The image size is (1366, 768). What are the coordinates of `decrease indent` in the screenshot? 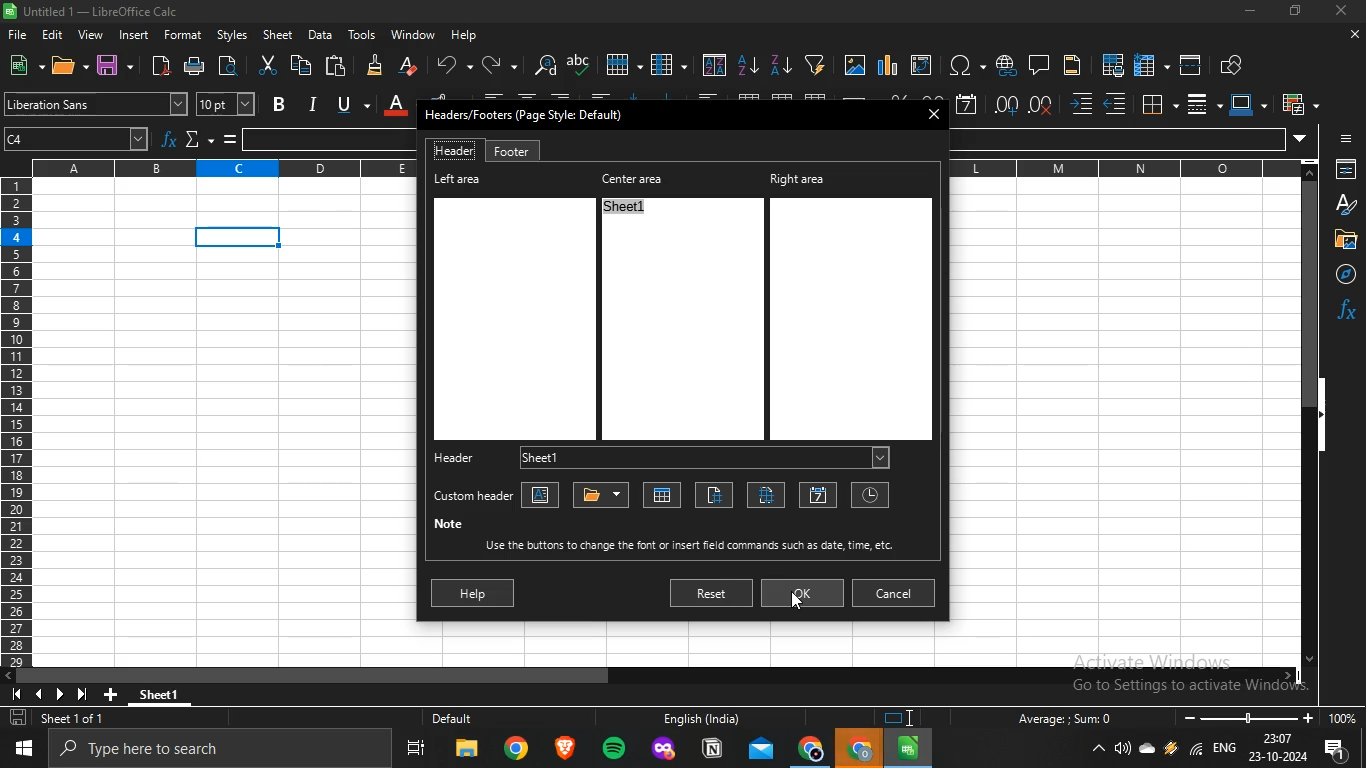 It's located at (1115, 104).